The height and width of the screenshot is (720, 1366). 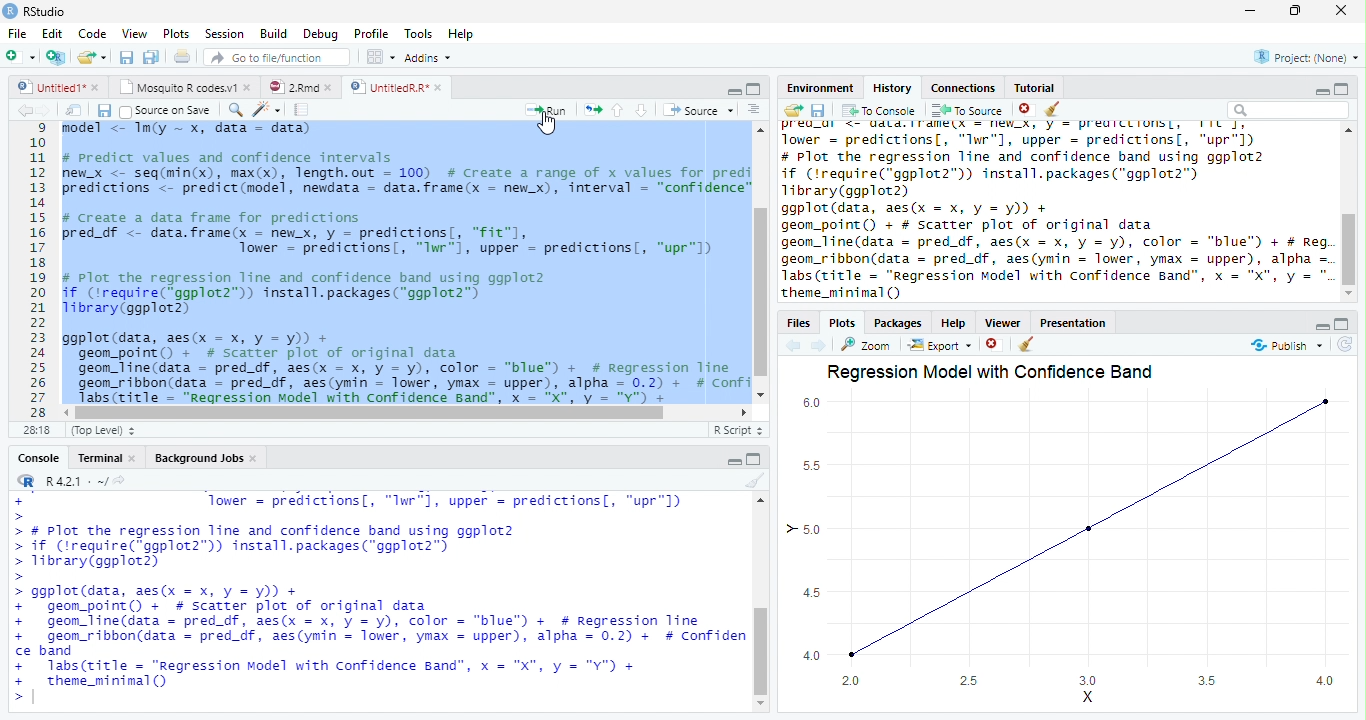 What do you see at coordinates (150, 58) in the screenshot?
I see `Save all file` at bounding box center [150, 58].